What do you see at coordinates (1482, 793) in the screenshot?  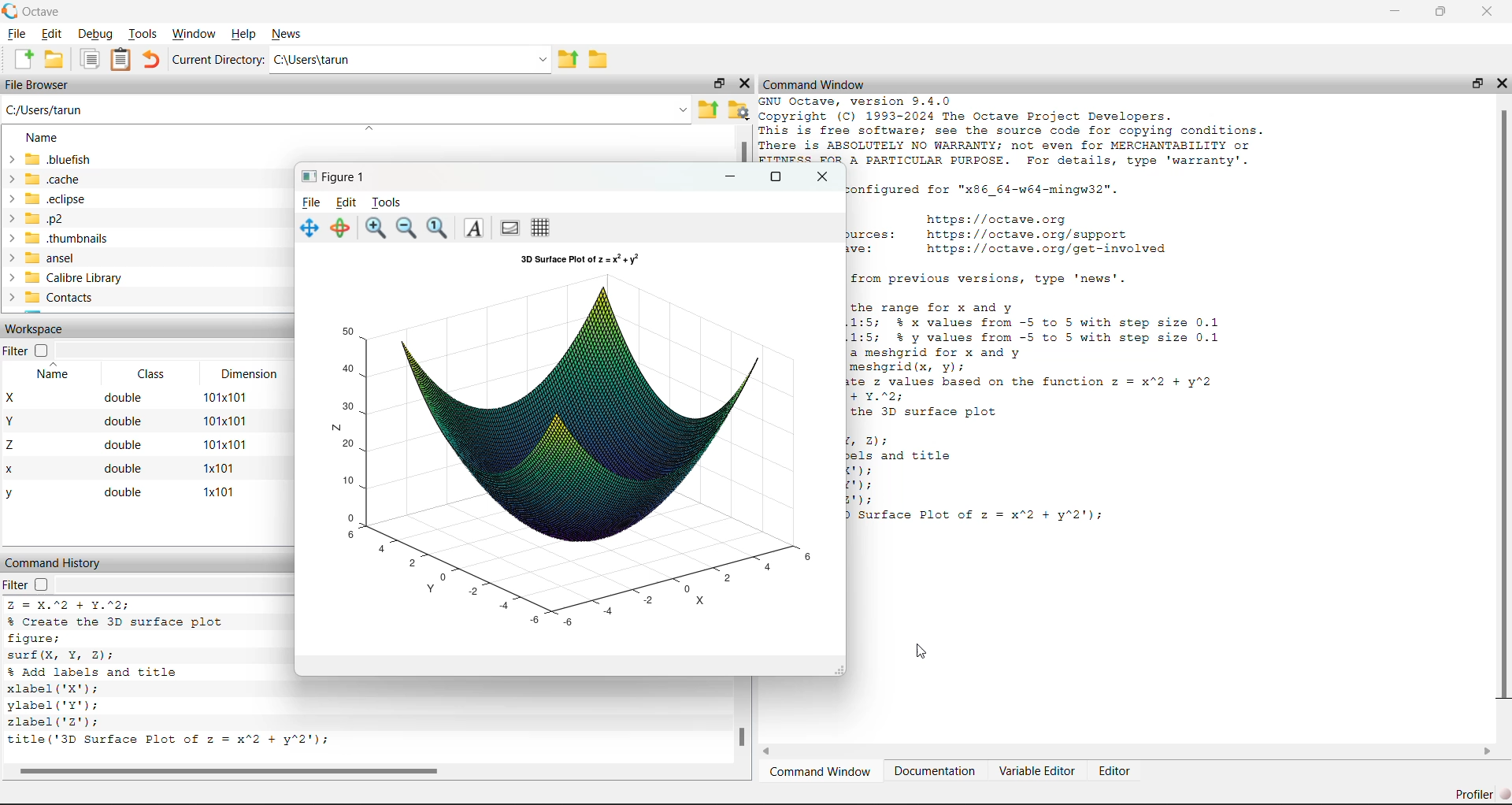 I see `Profiler` at bounding box center [1482, 793].